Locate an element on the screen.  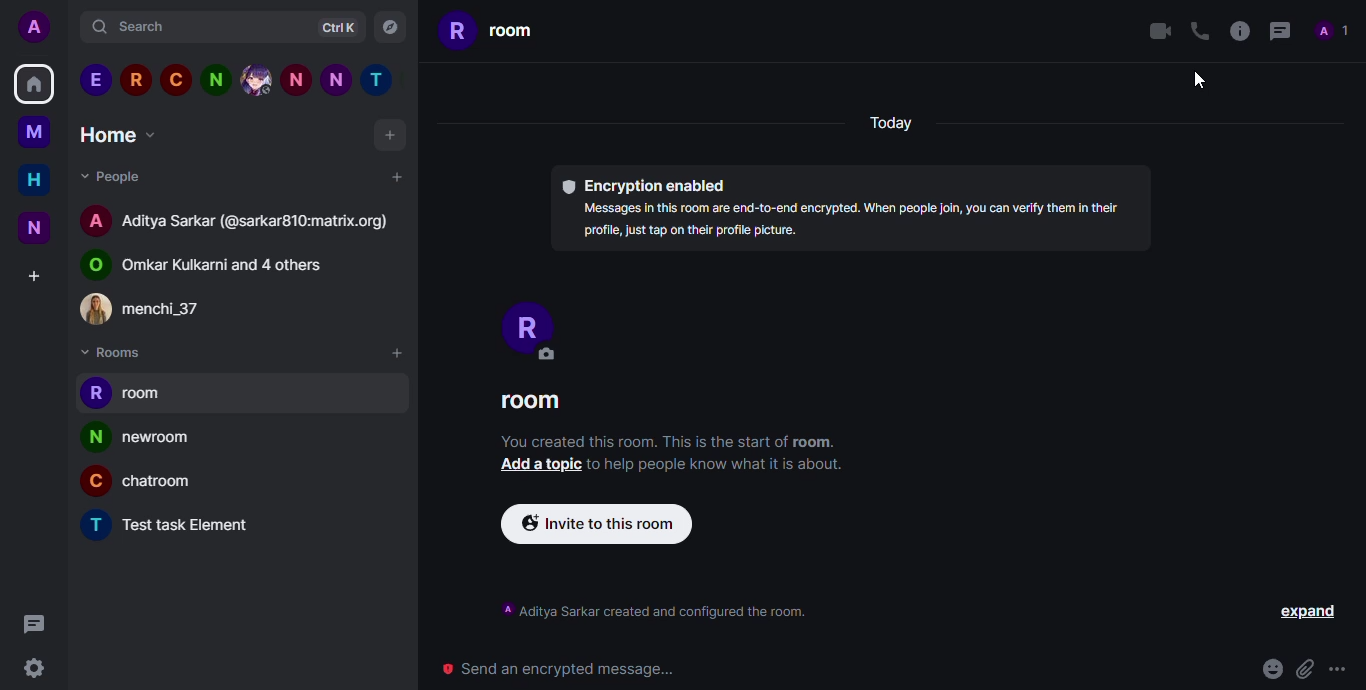
Home is located at coordinates (39, 83).